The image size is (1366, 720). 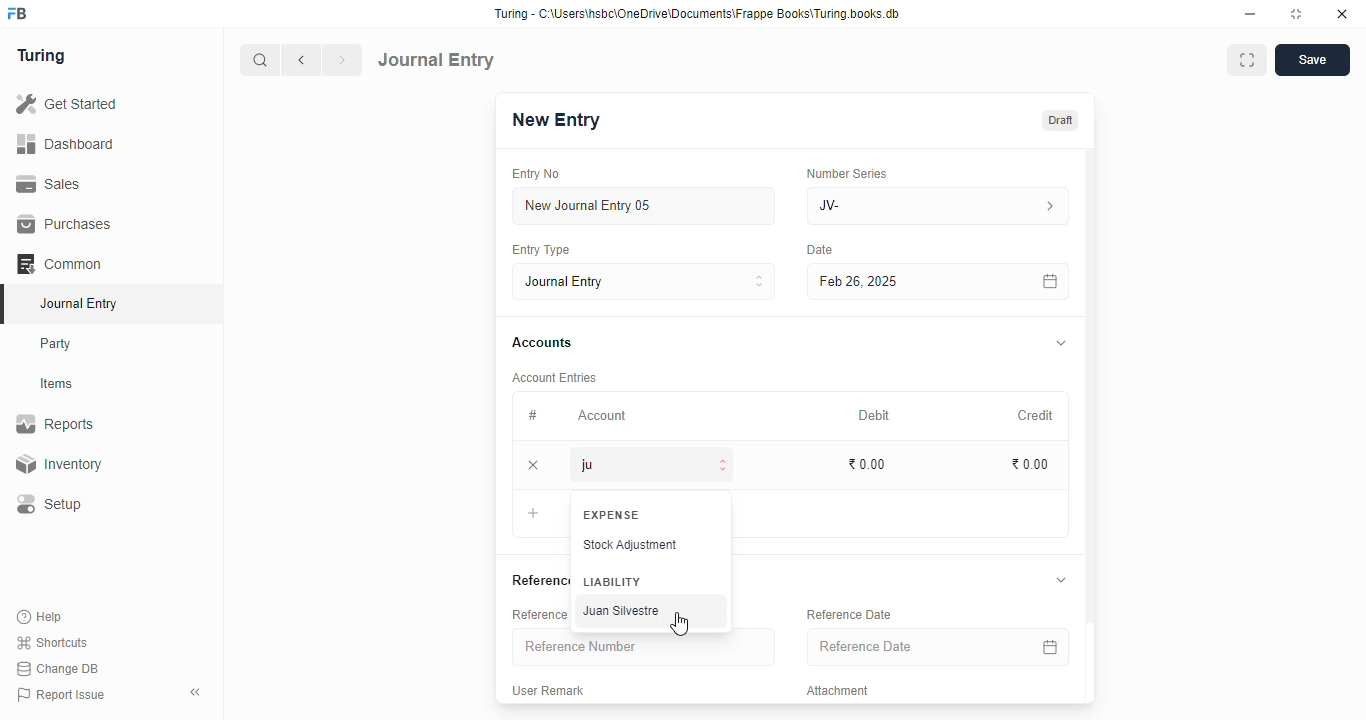 What do you see at coordinates (602, 415) in the screenshot?
I see `account` at bounding box center [602, 415].